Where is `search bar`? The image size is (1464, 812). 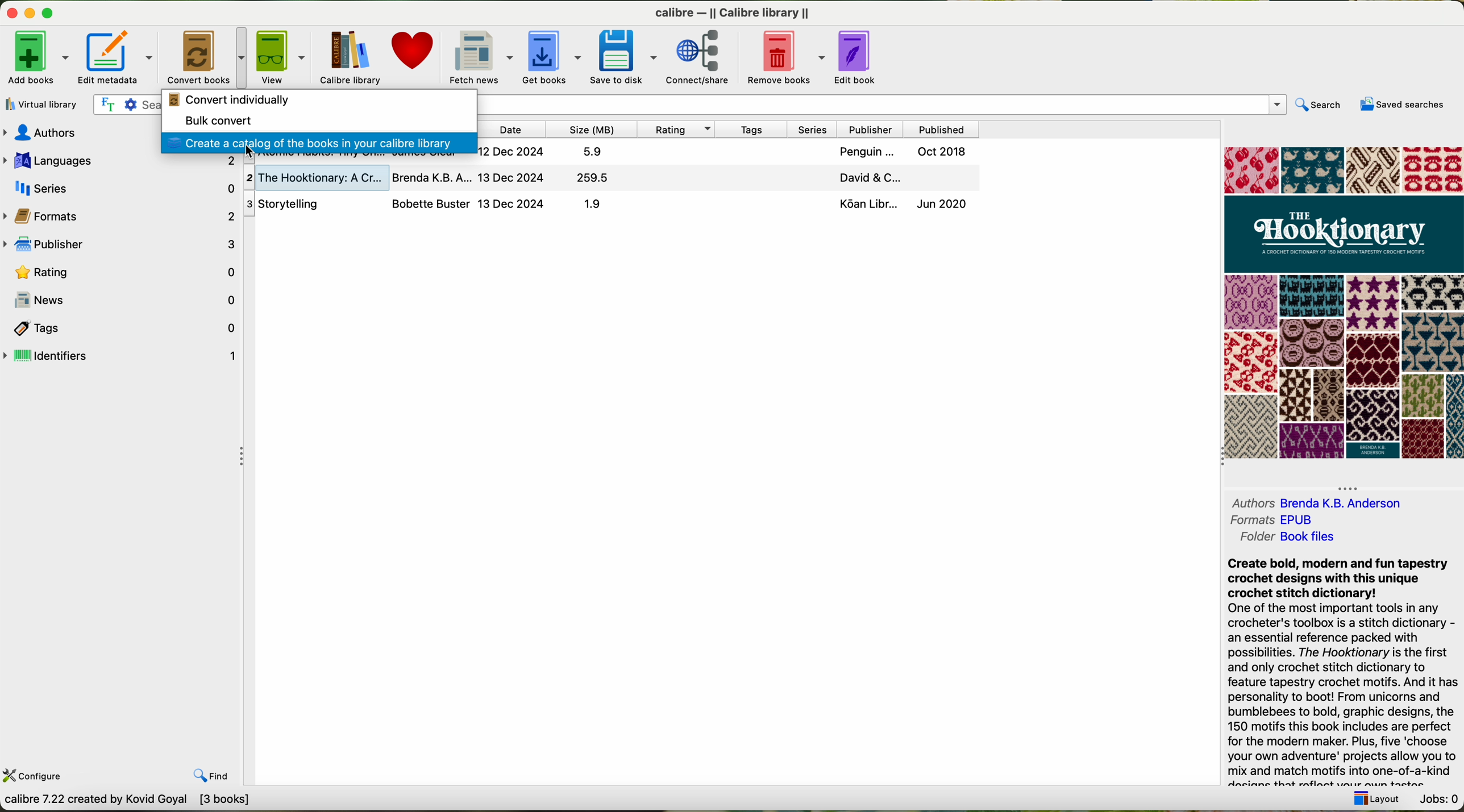
search bar is located at coordinates (126, 105).